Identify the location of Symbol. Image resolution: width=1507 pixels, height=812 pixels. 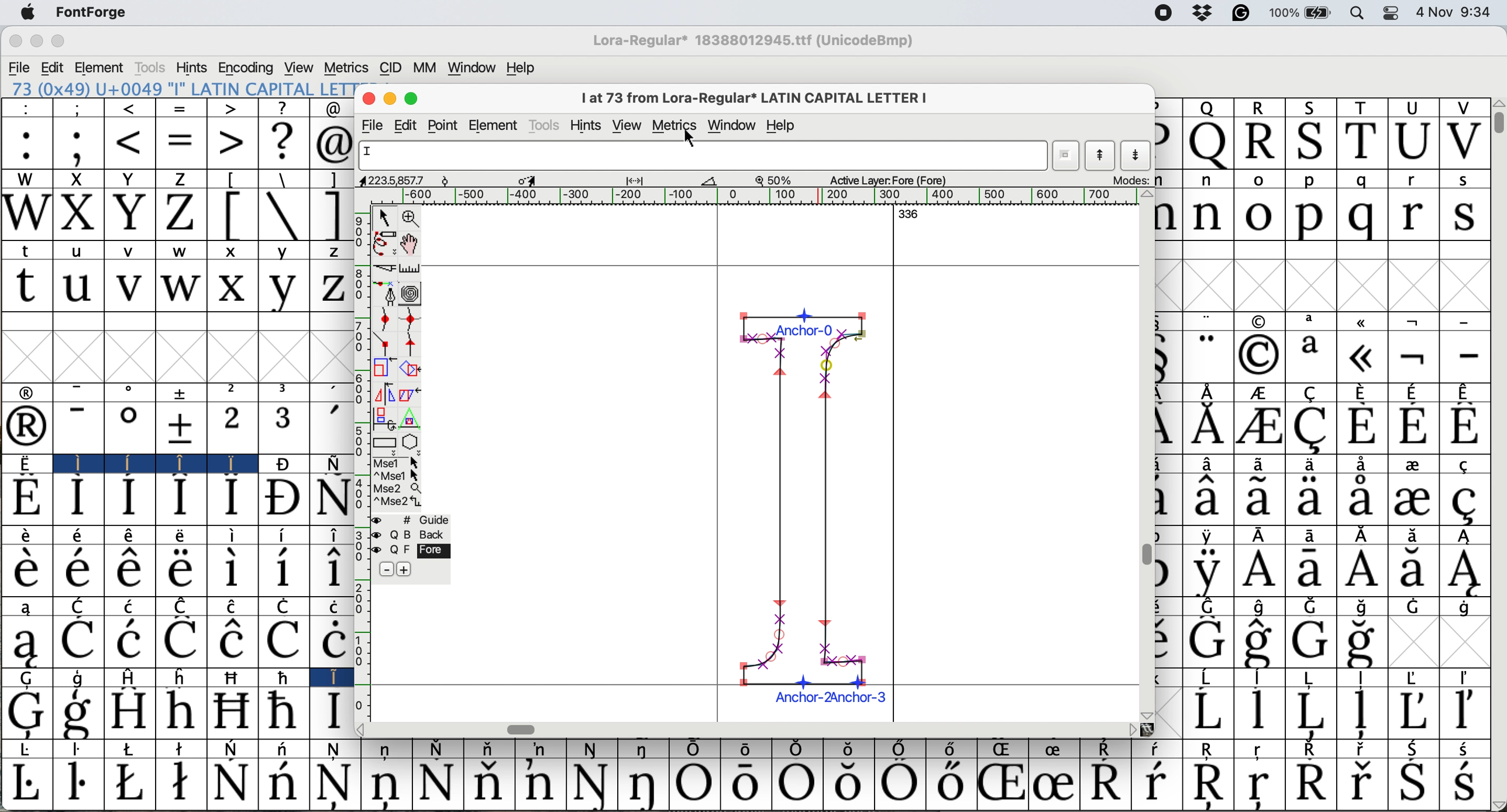
(793, 785).